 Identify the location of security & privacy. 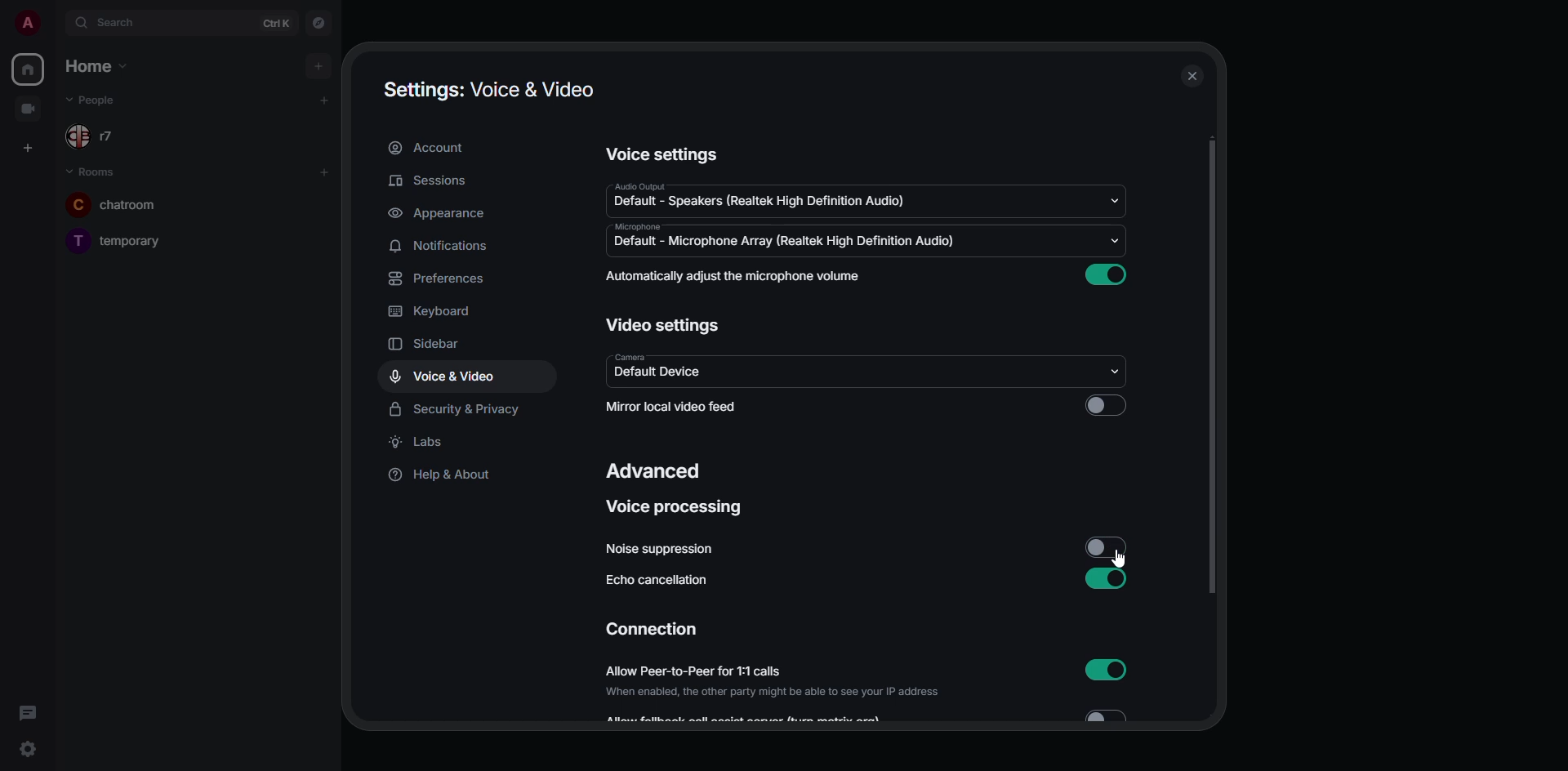
(453, 410).